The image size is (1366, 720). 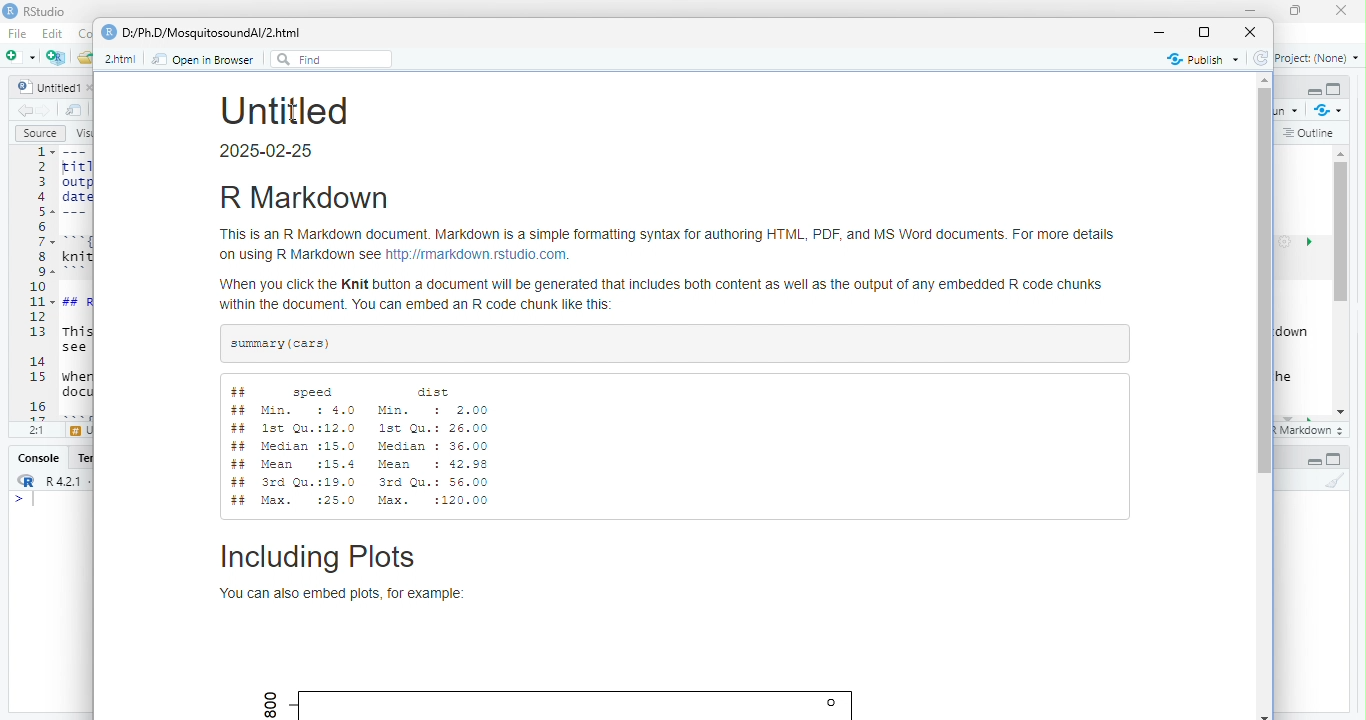 What do you see at coordinates (314, 392) in the screenshot?
I see `speed` at bounding box center [314, 392].